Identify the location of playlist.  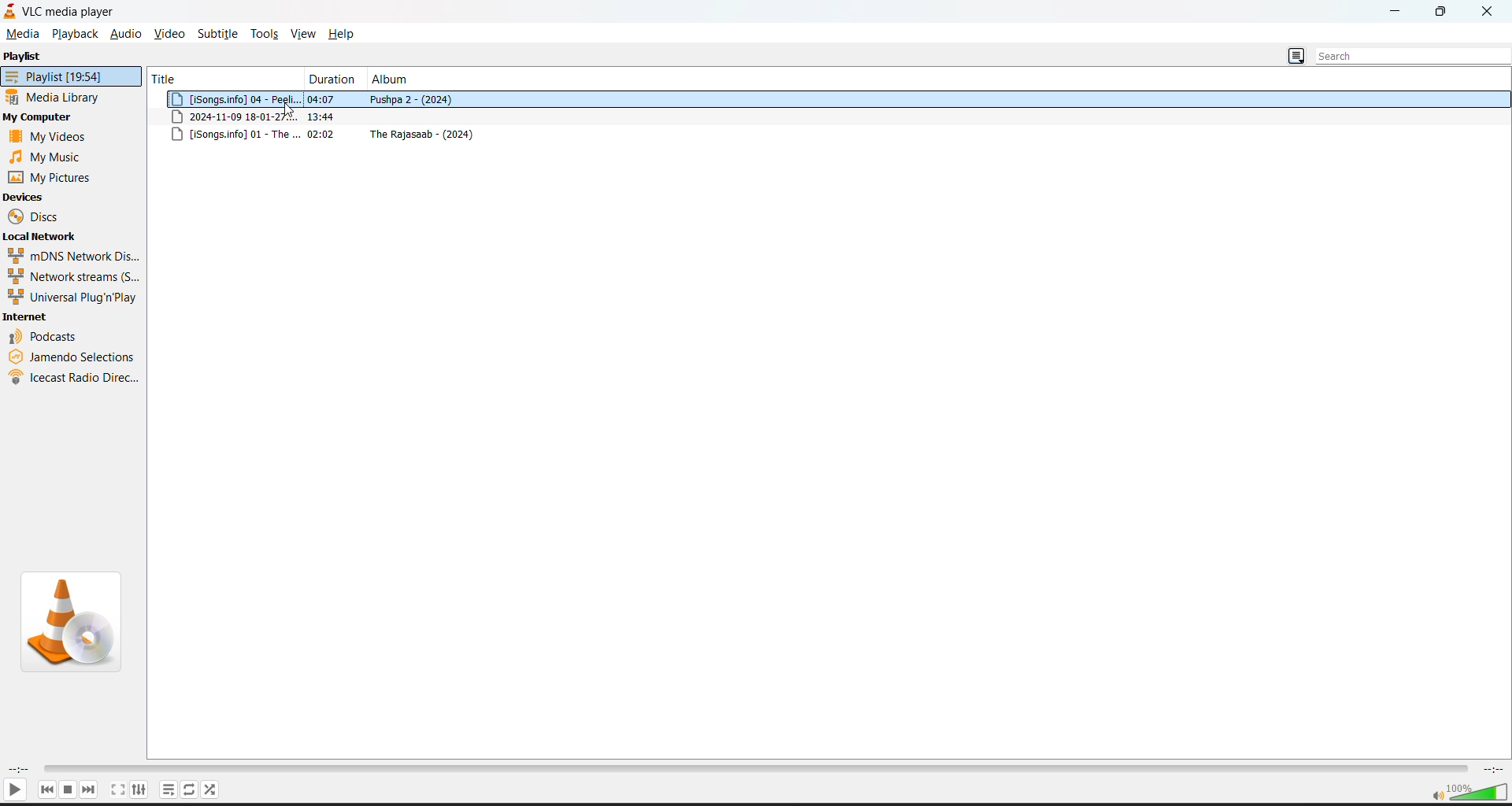
(24, 57).